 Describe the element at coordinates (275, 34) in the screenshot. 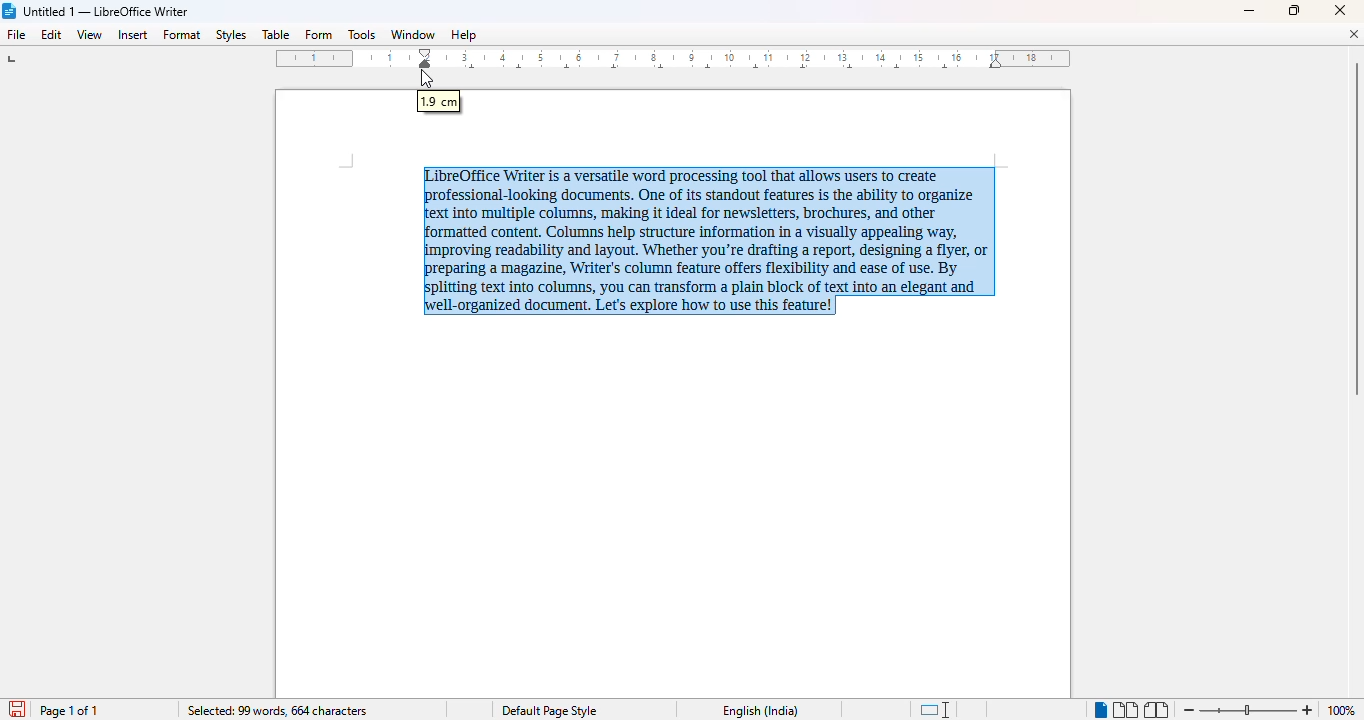

I see `table` at that location.